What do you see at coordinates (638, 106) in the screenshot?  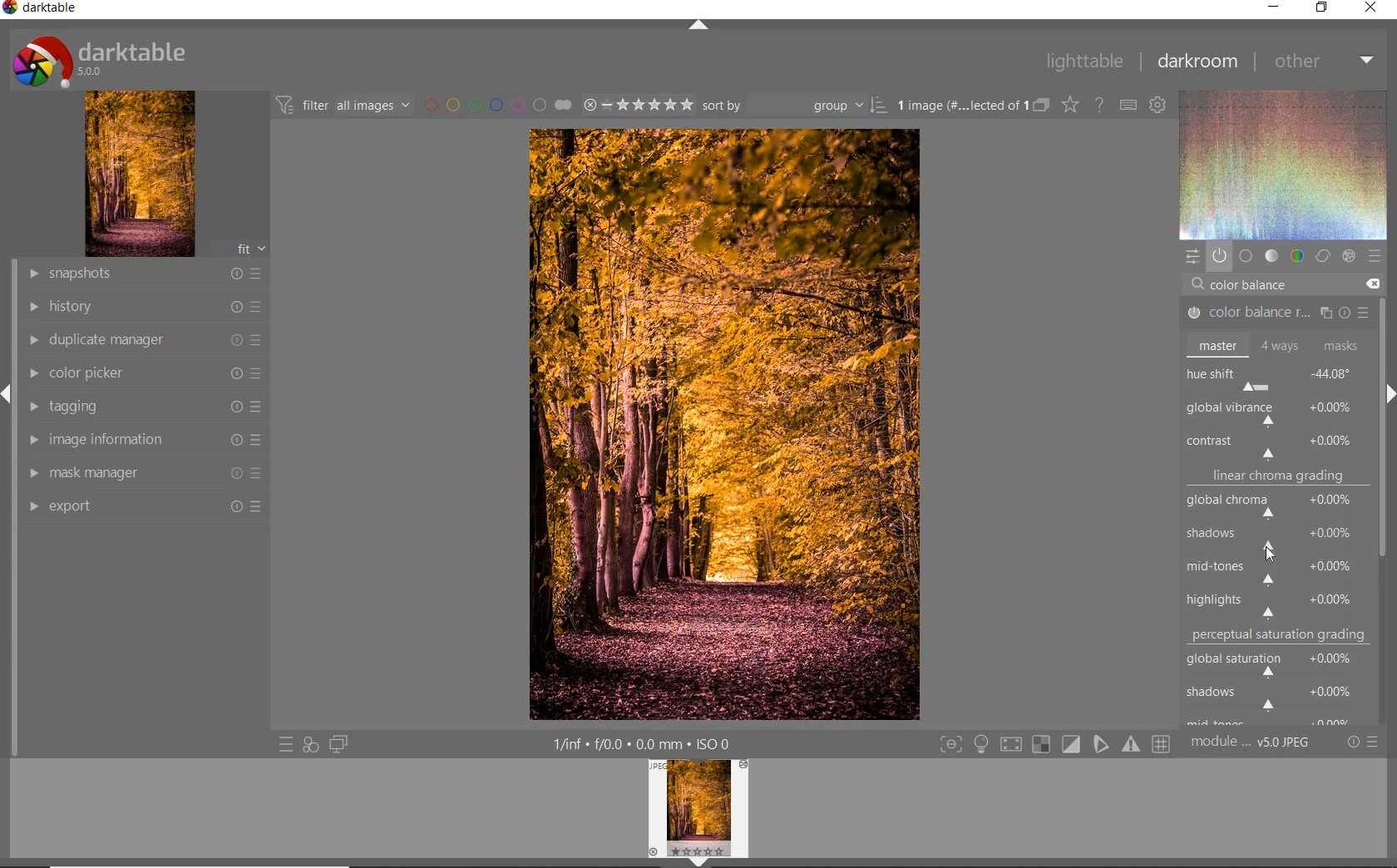 I see `selected image range rating` at bounding box center [638, 106].